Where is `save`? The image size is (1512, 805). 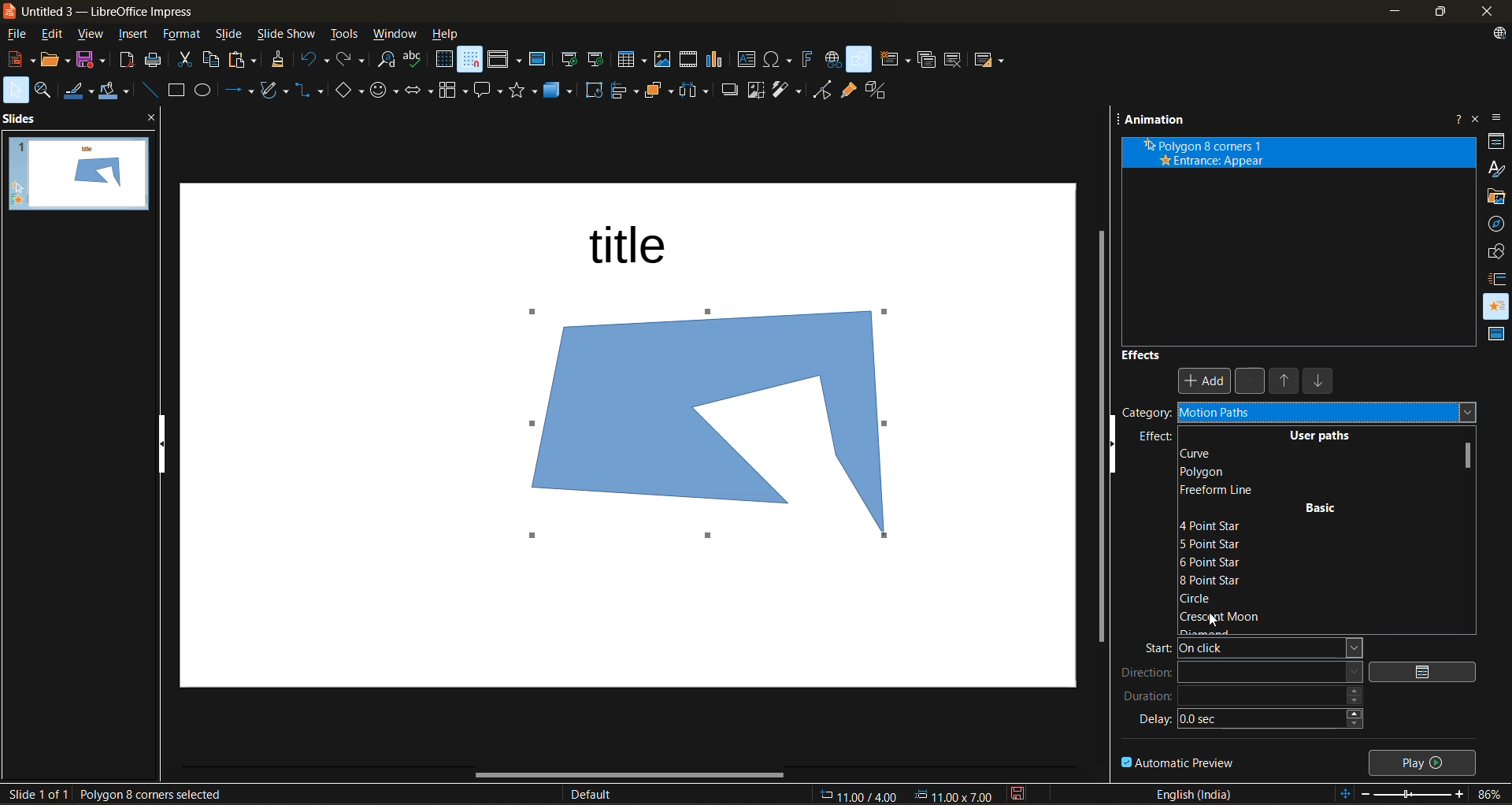 save is located at coordinates (92, 60).